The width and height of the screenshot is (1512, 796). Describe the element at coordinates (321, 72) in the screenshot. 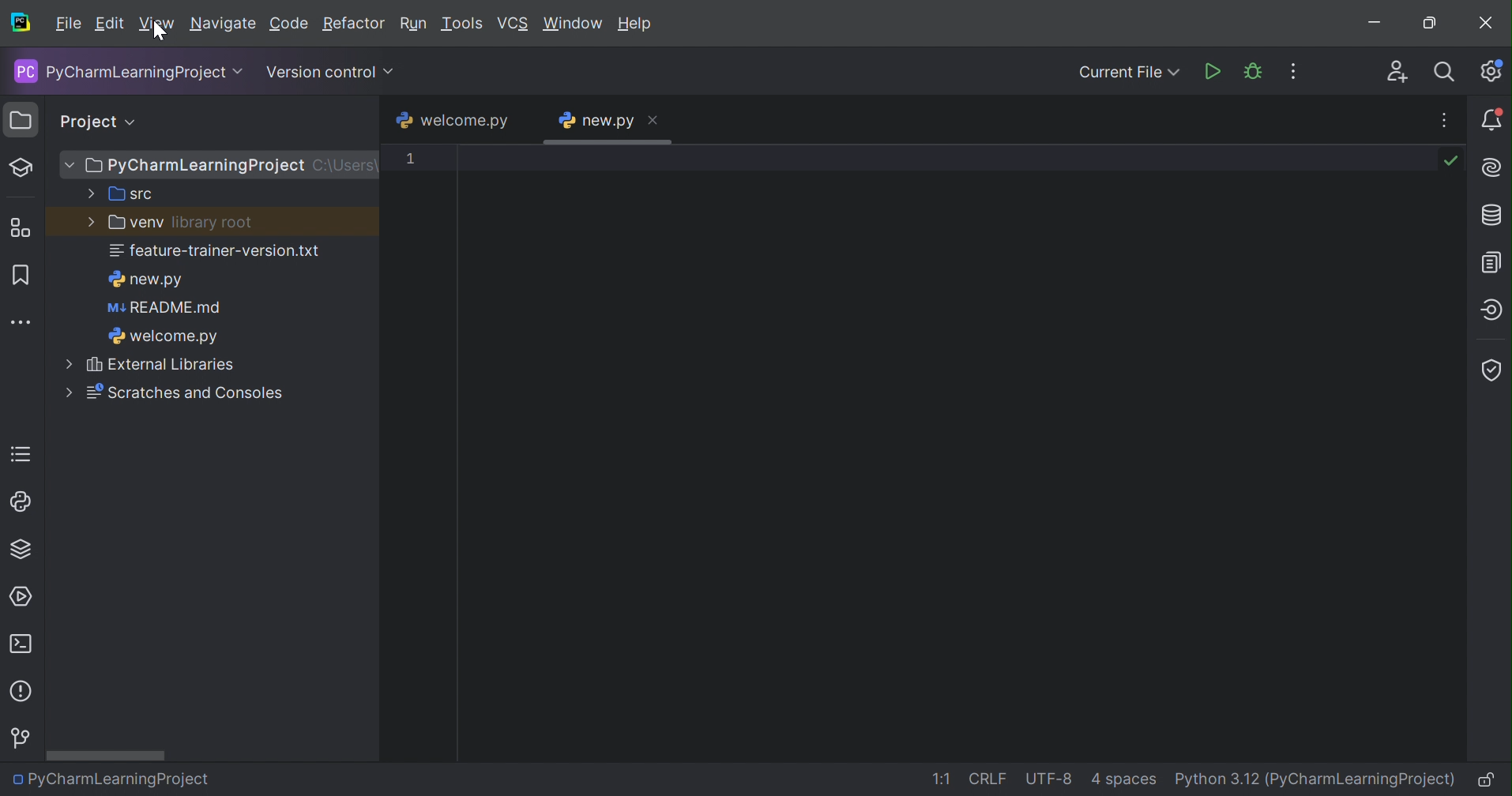

I see `Version control` at that location.